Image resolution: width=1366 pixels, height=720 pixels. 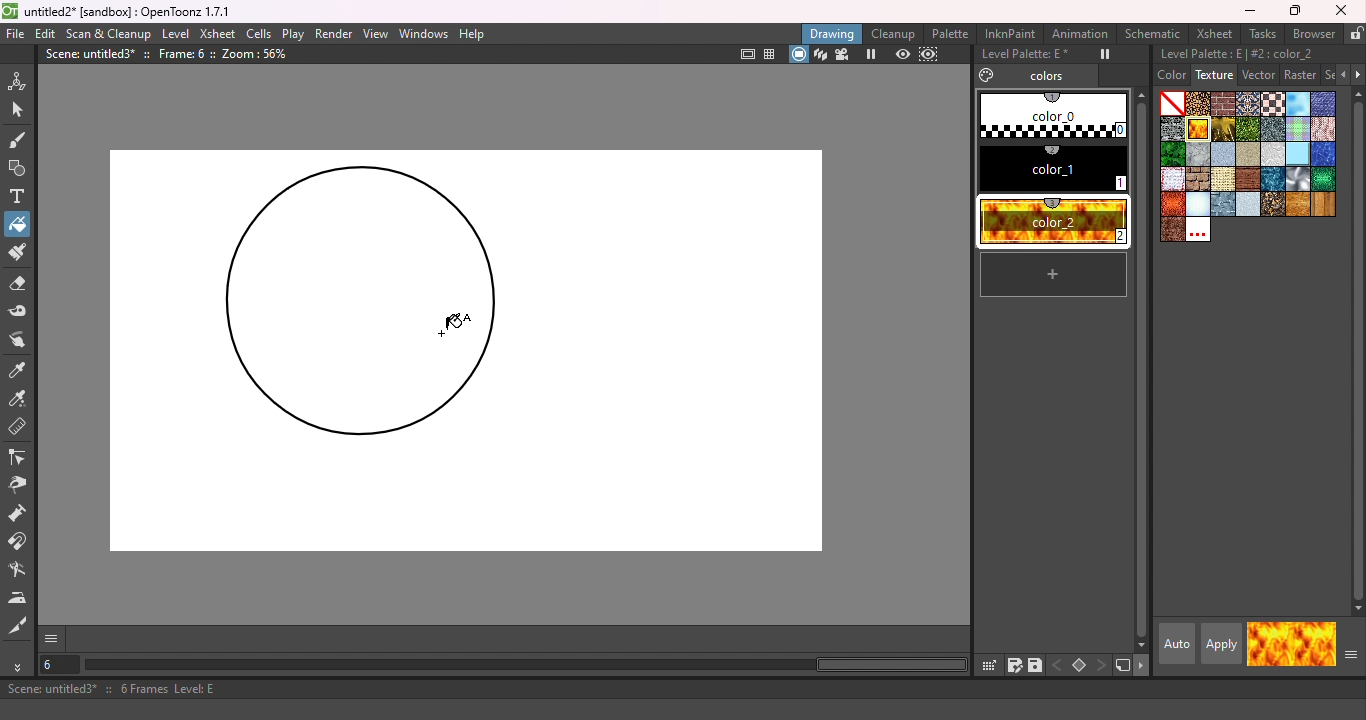 I want to click on Vector, so click(x=1259, y=75).